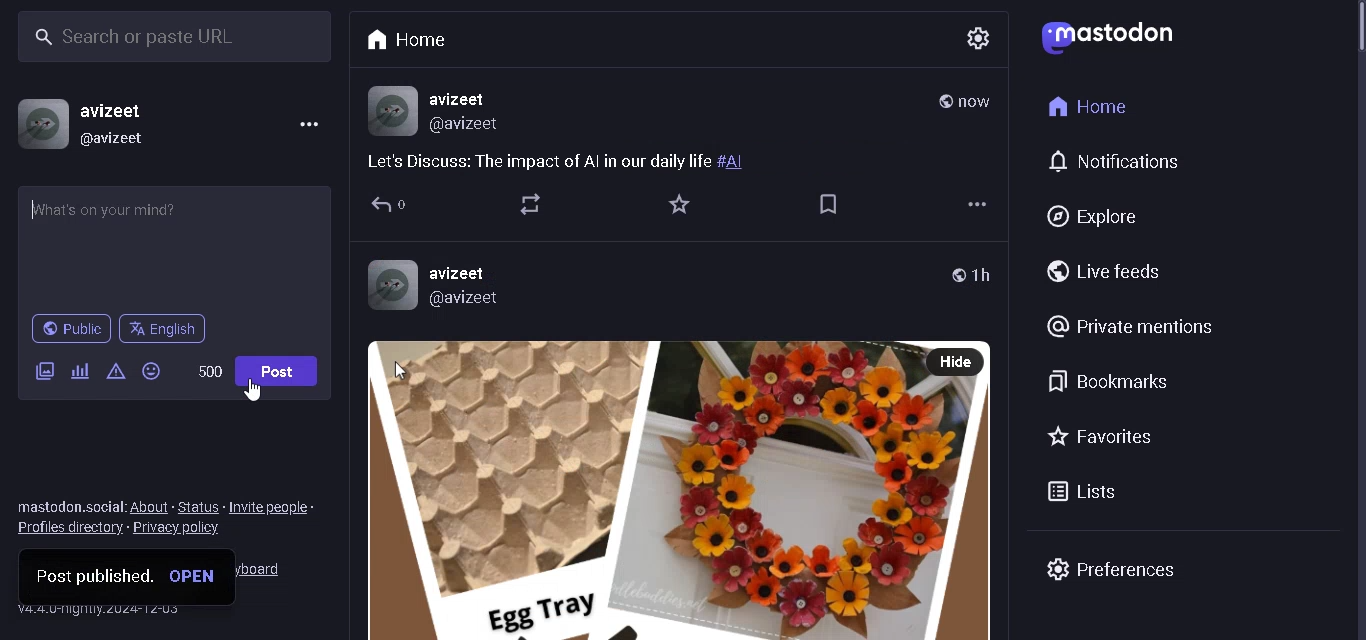 This screenshot has height=640, width=1366. What do you see at coordinates (1101, 438) in the screenshot?
I see `FAVORITES` at bounding box center [1101, 438].